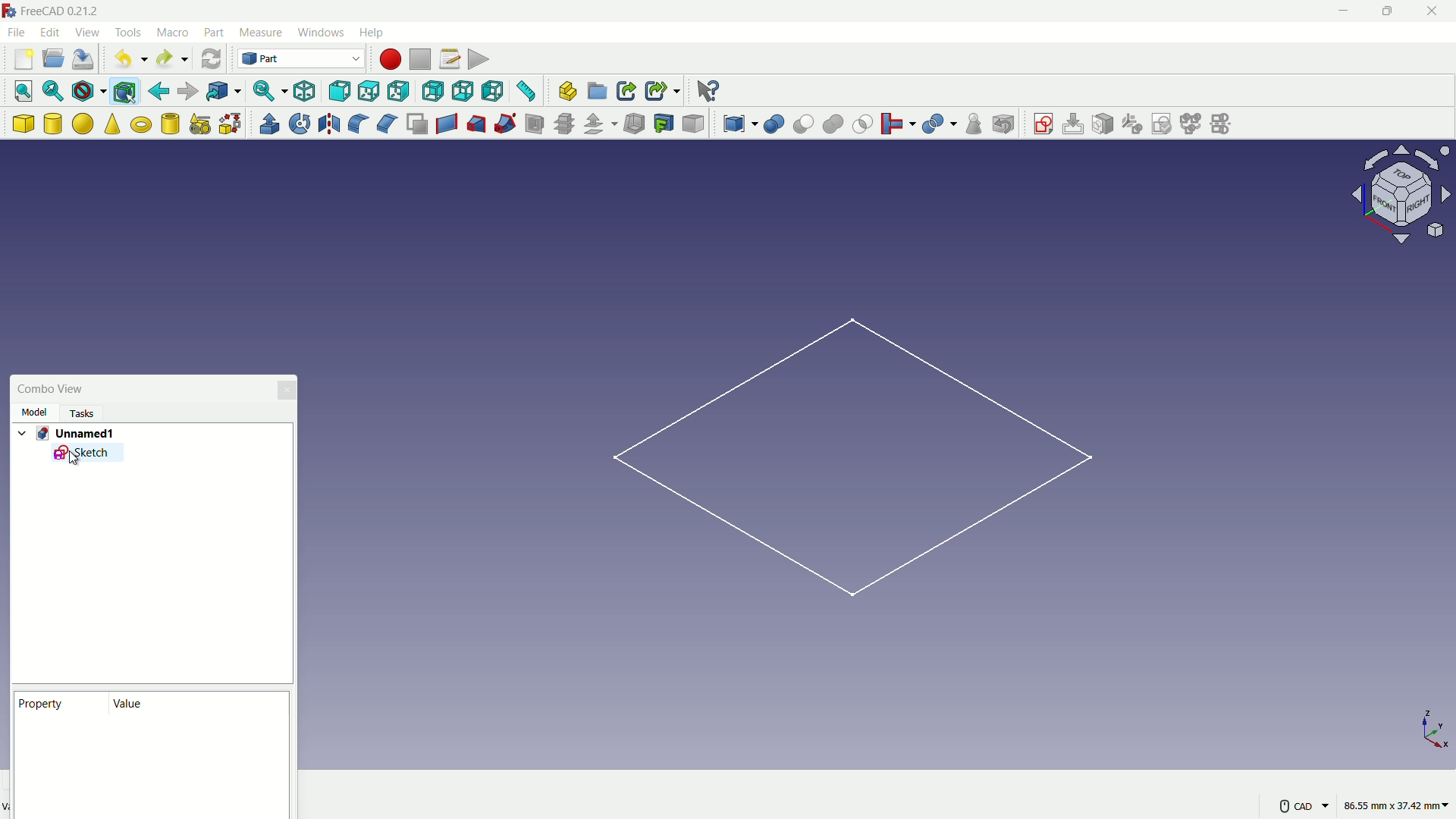 The image size is (1456, 819). What do you see at coordinates (368, 90) in the screenshot?
I see `top view` at bounding box center [368, 90].